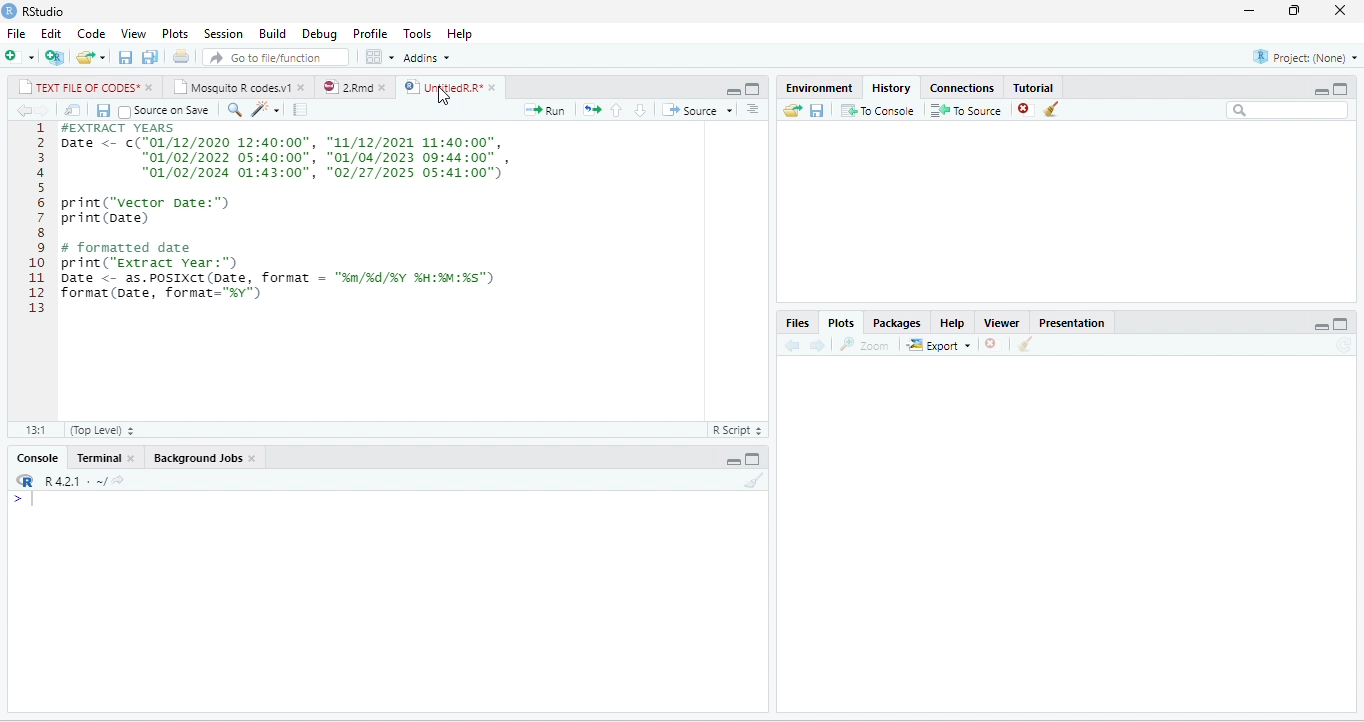  What do you see at coordinates (1346, 346) in the screenshot?
I see `refresh` at bounding box center [1346, 346].